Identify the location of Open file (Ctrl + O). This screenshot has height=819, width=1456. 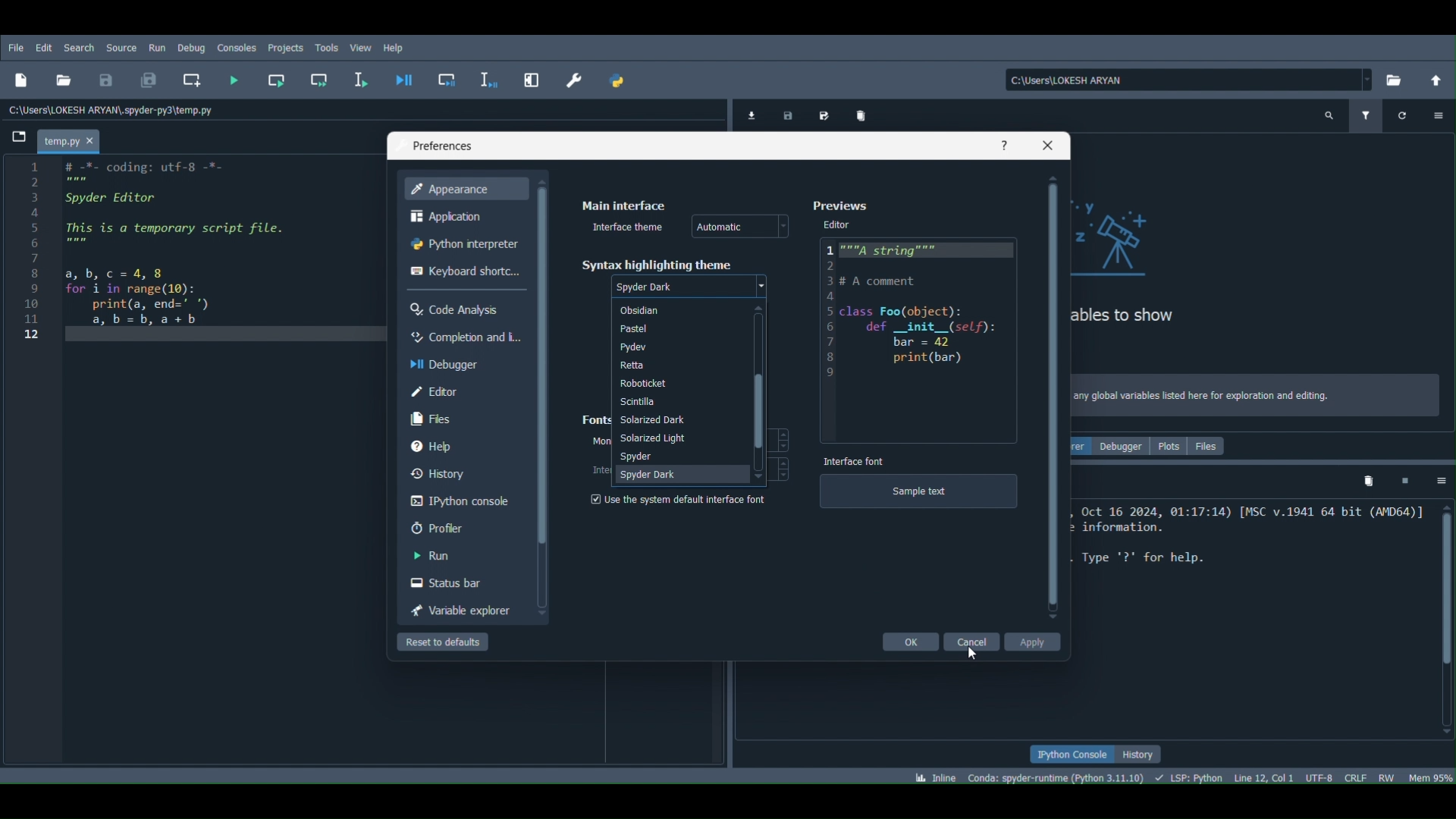
(64, 80).